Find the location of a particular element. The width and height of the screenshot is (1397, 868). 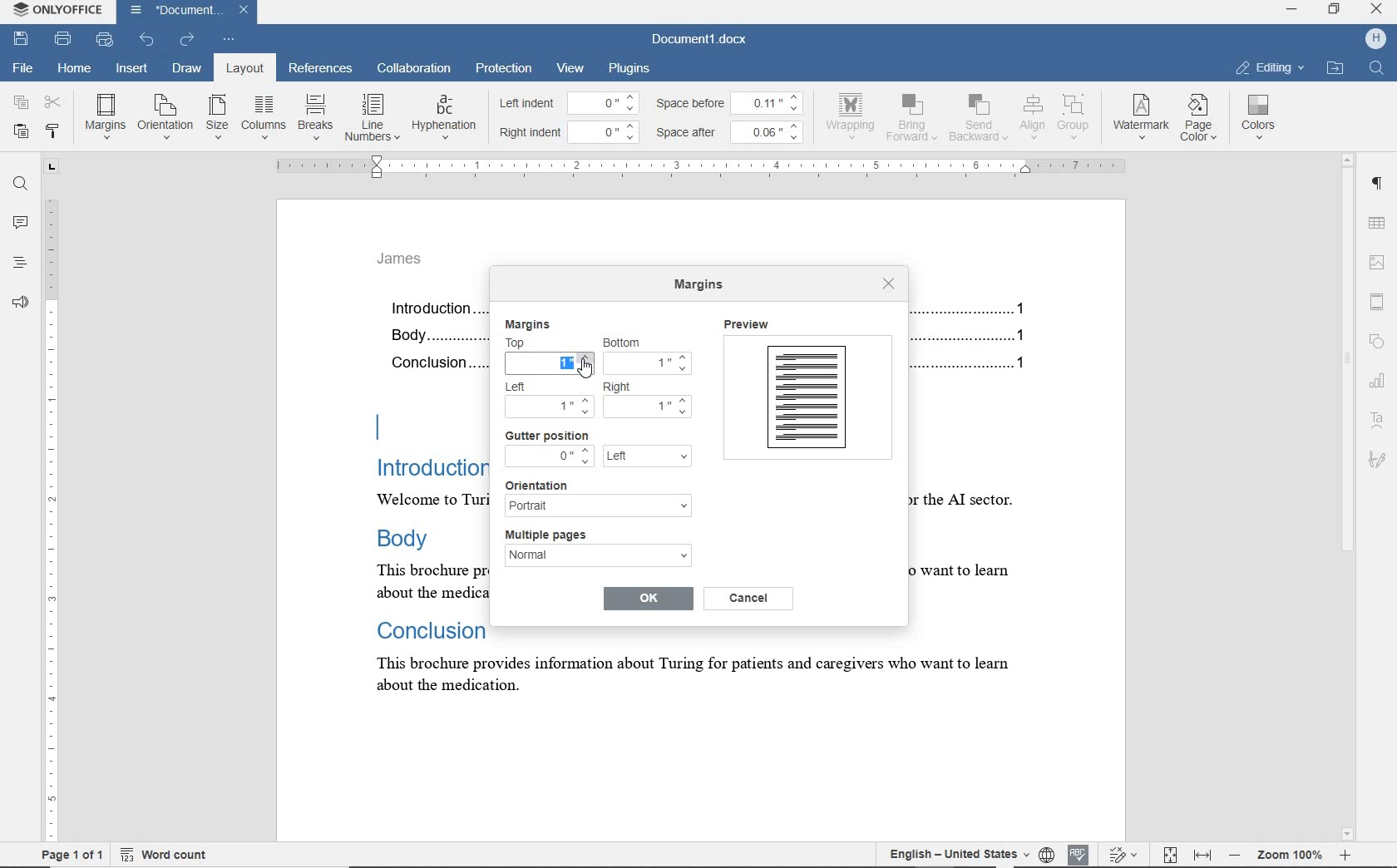

margins is located at coordinates (105, 116).